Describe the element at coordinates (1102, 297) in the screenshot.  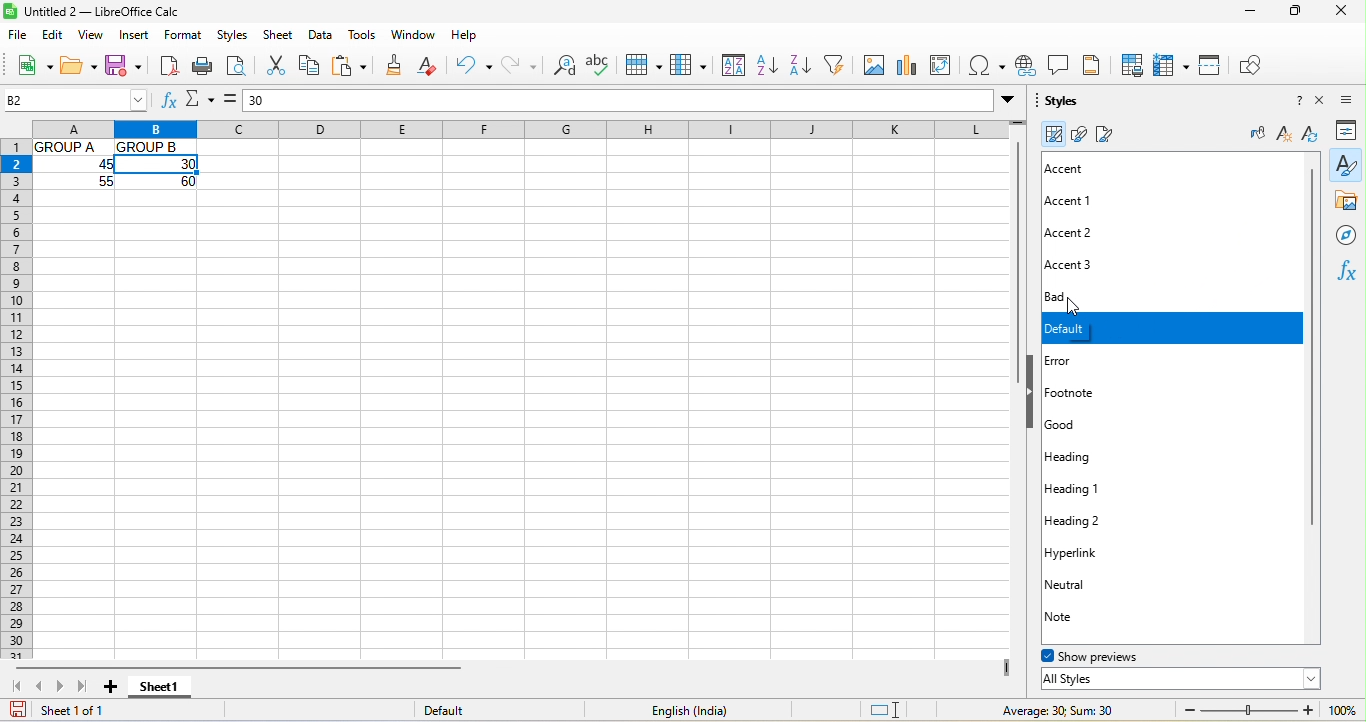
I see `bad` at that location.